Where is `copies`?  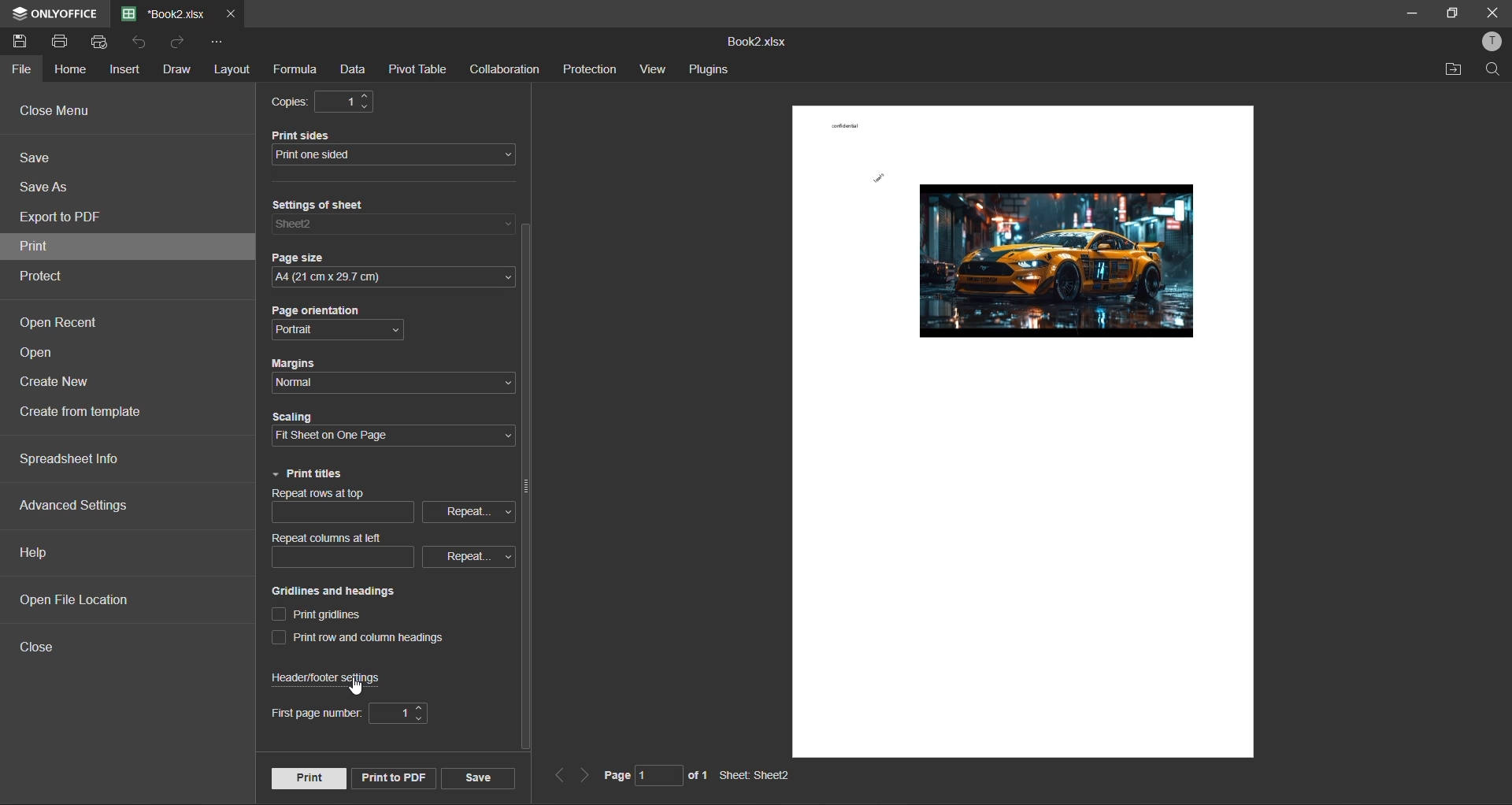
copies is located at coordinates (319, 102).